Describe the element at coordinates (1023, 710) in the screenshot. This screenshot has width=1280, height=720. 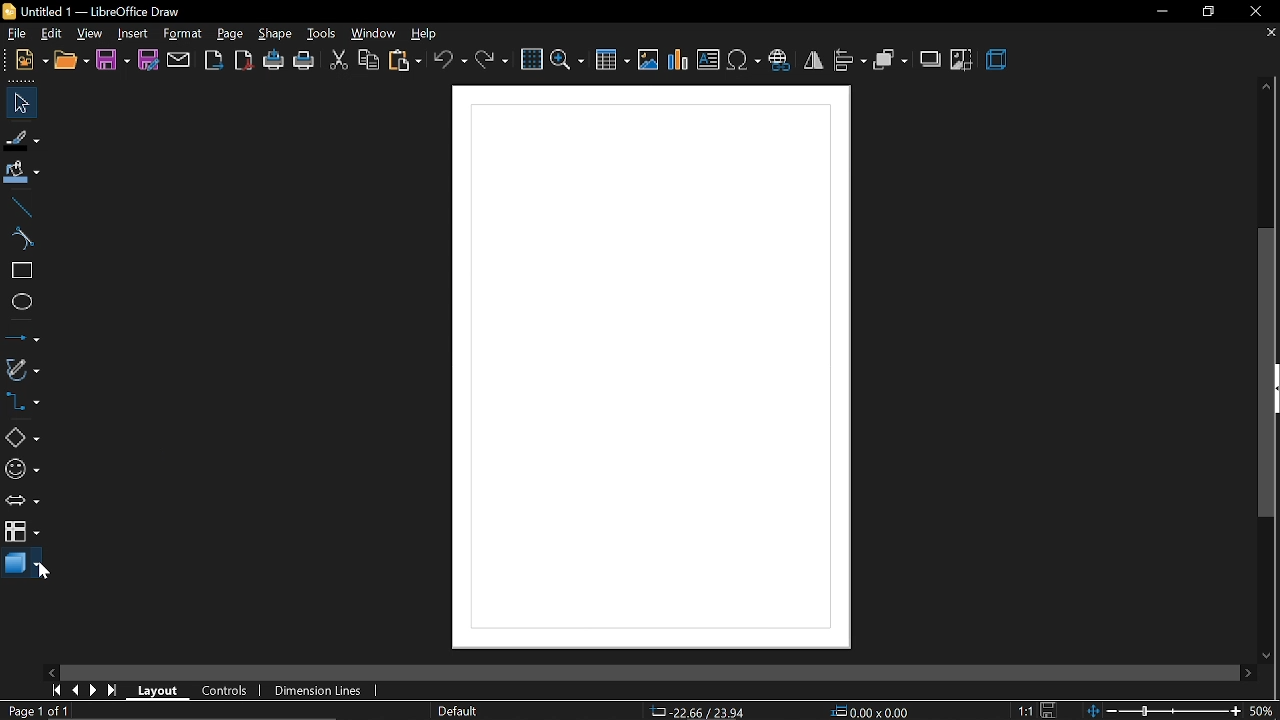
I see `1:1` at that location.